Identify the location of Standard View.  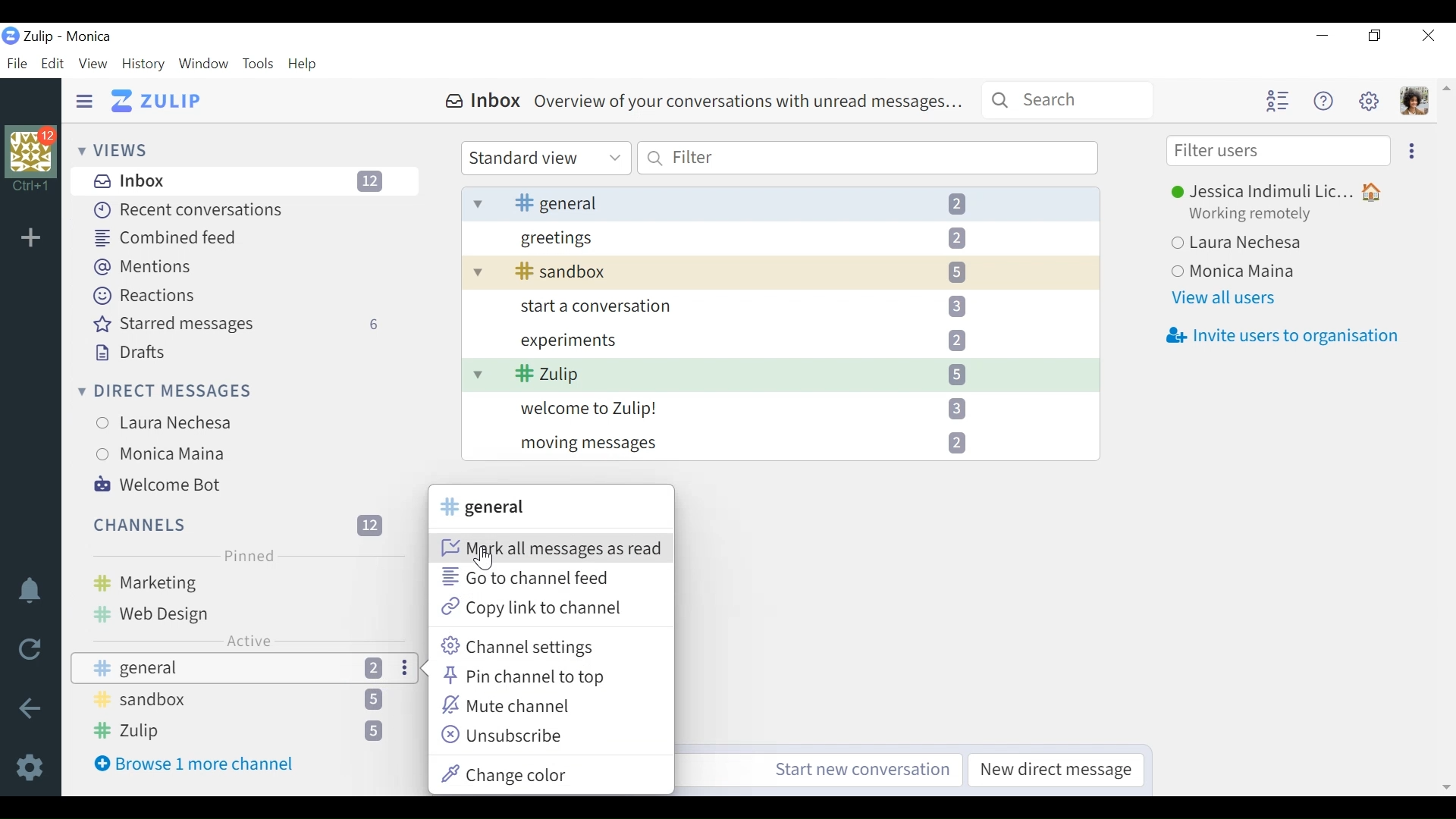
(544, 158).